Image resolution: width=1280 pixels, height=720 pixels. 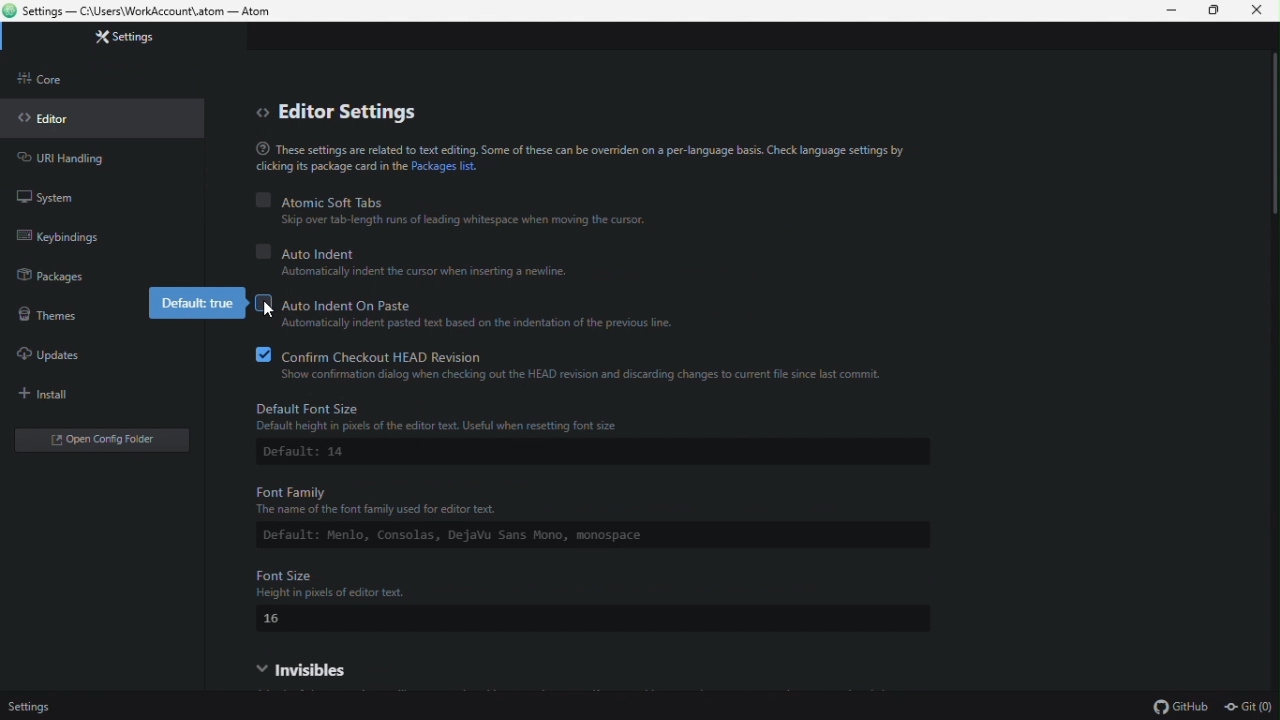 I want to click on cursor, so click(x=271, y=308).